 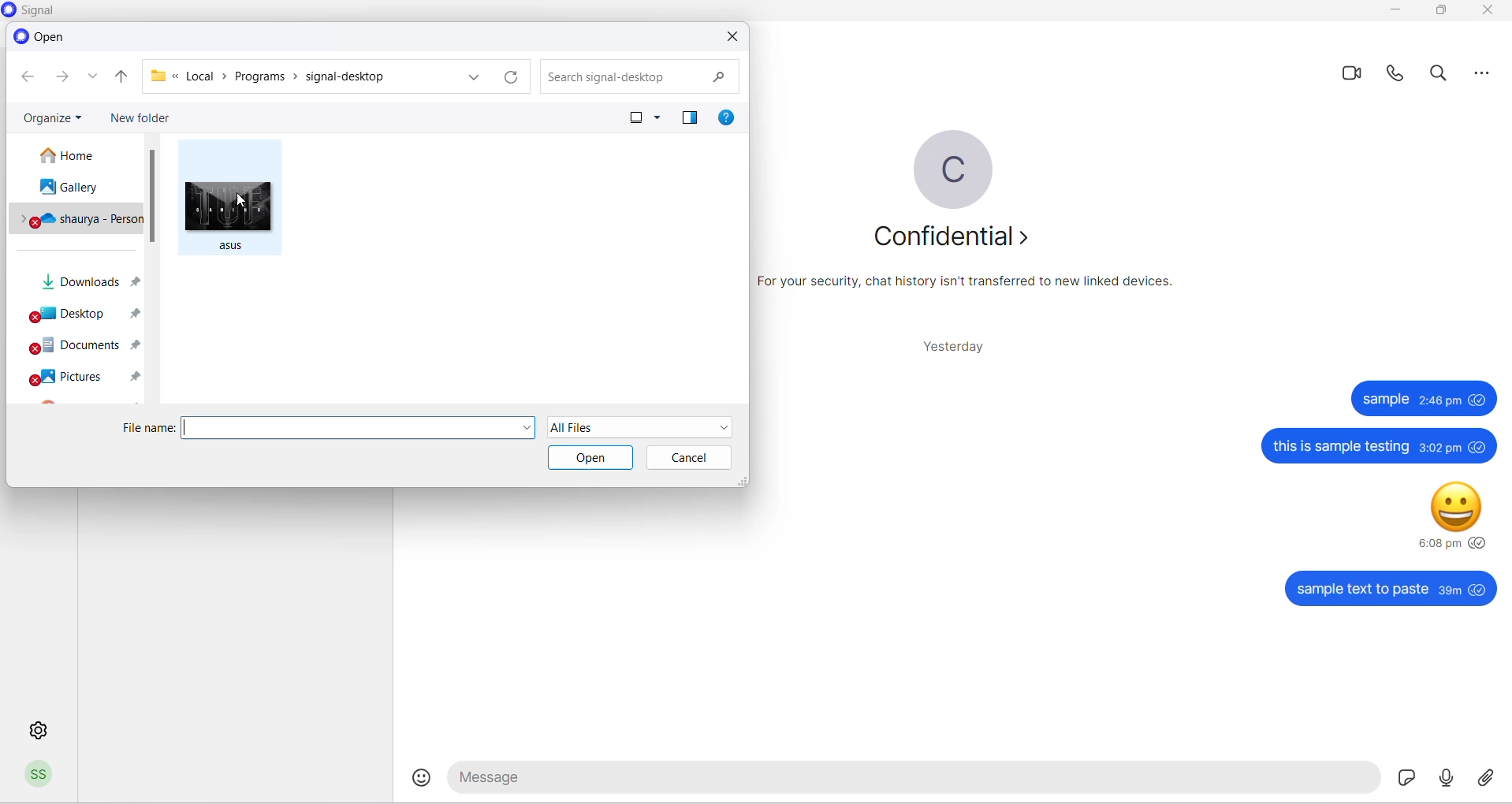 What do you see at coordinates (643, 426) in the screenshot?
I see `formats allowed` at bounding box center [643, 426].